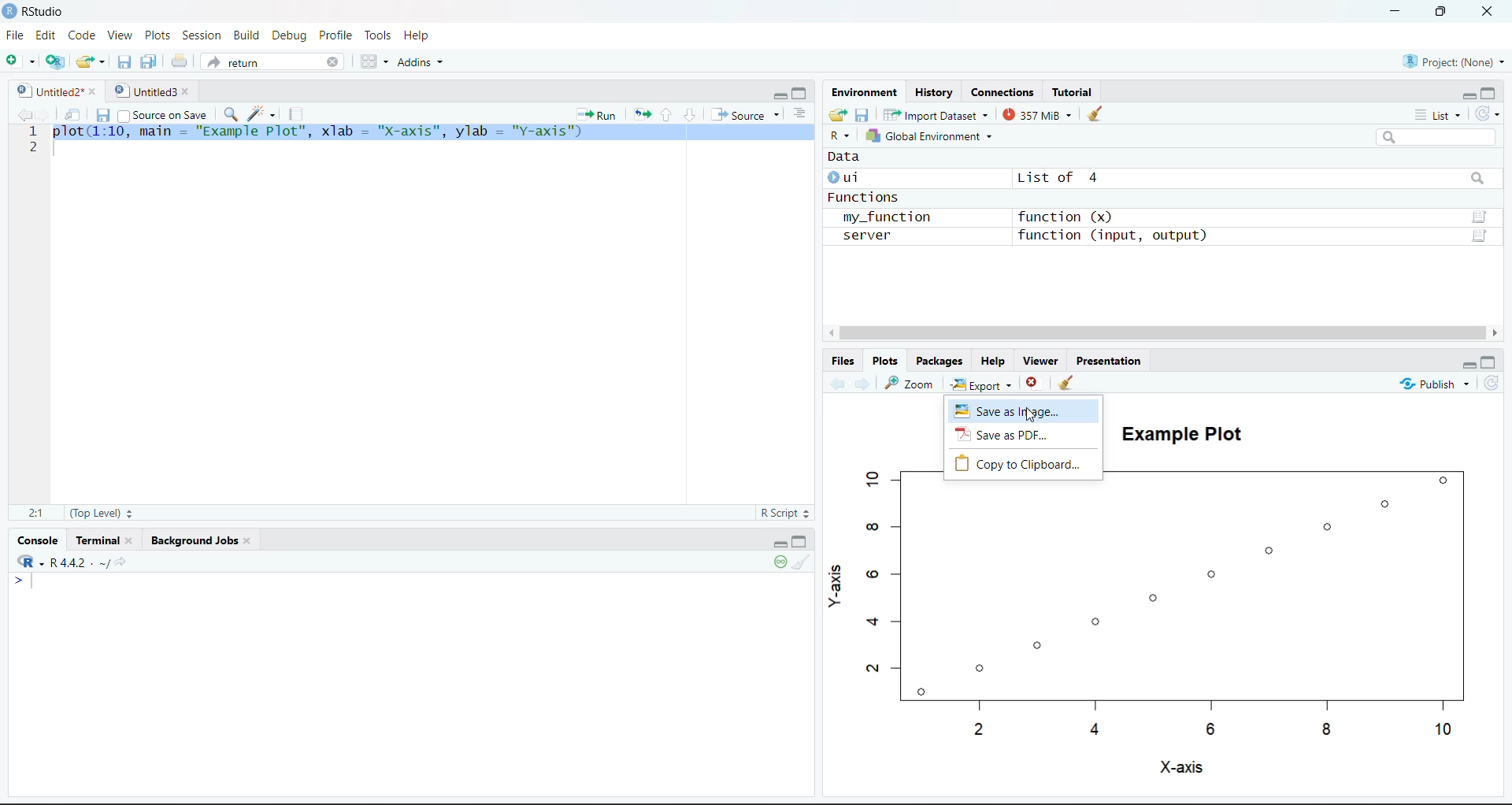 The width and height of the screenshot is (1512, 805). What do you see at coordinates (124, 63) in the screenshot?
I see `Save current document (Ctrl + S)` at bounding box center [124, 63].